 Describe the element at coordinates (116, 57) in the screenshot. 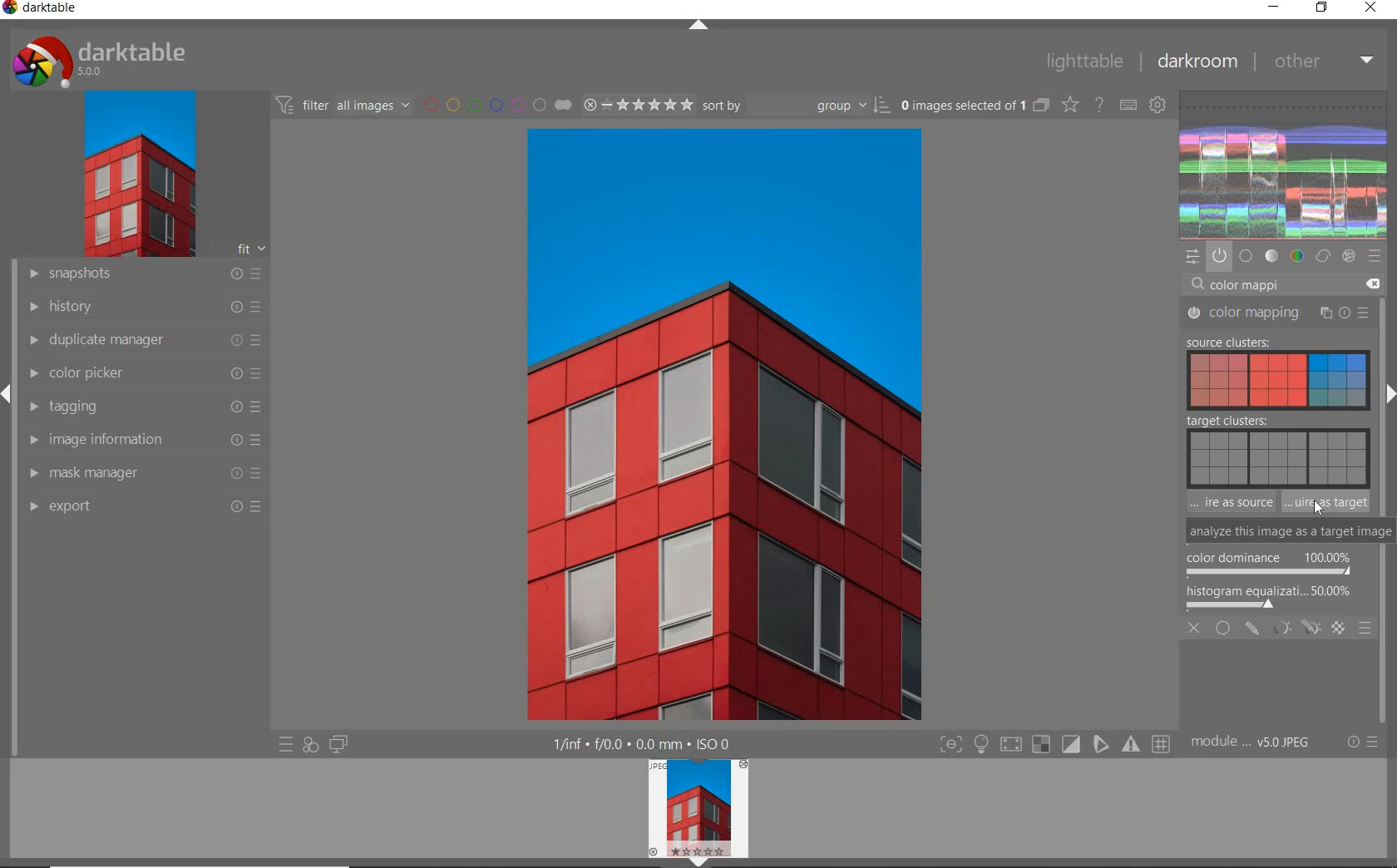

I see `darktable` at that location.